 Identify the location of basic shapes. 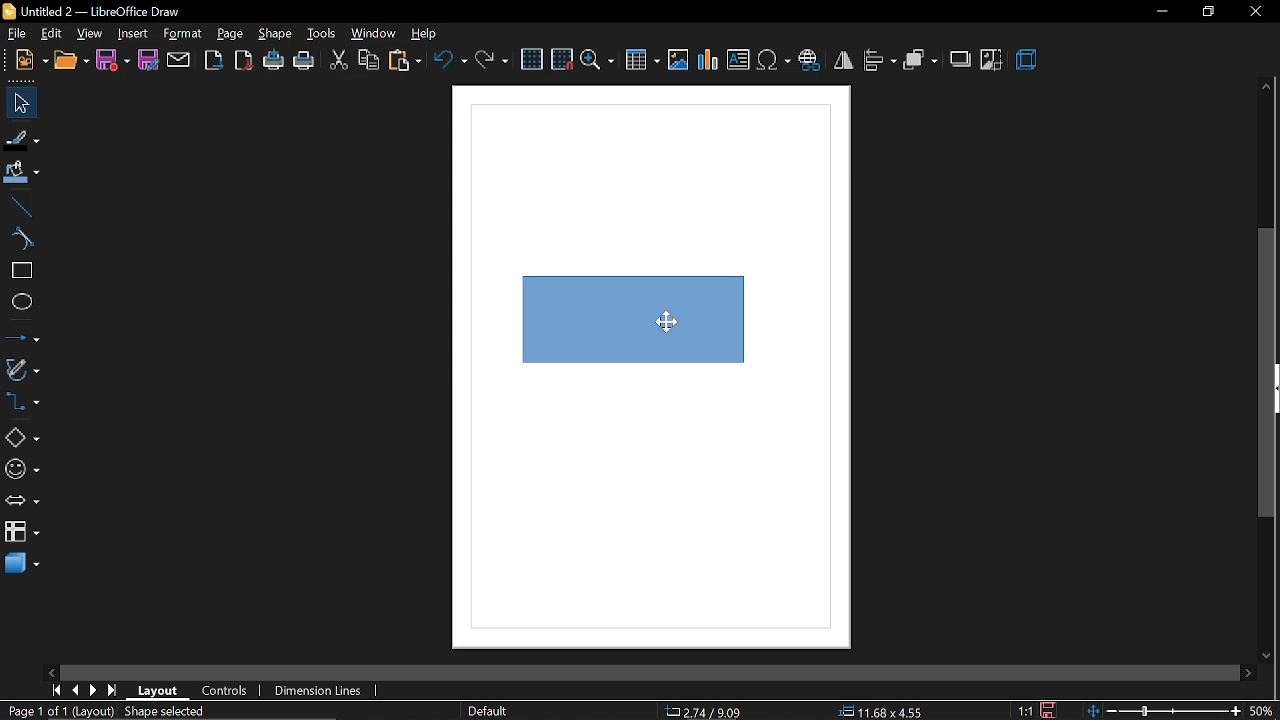
(20, 437).